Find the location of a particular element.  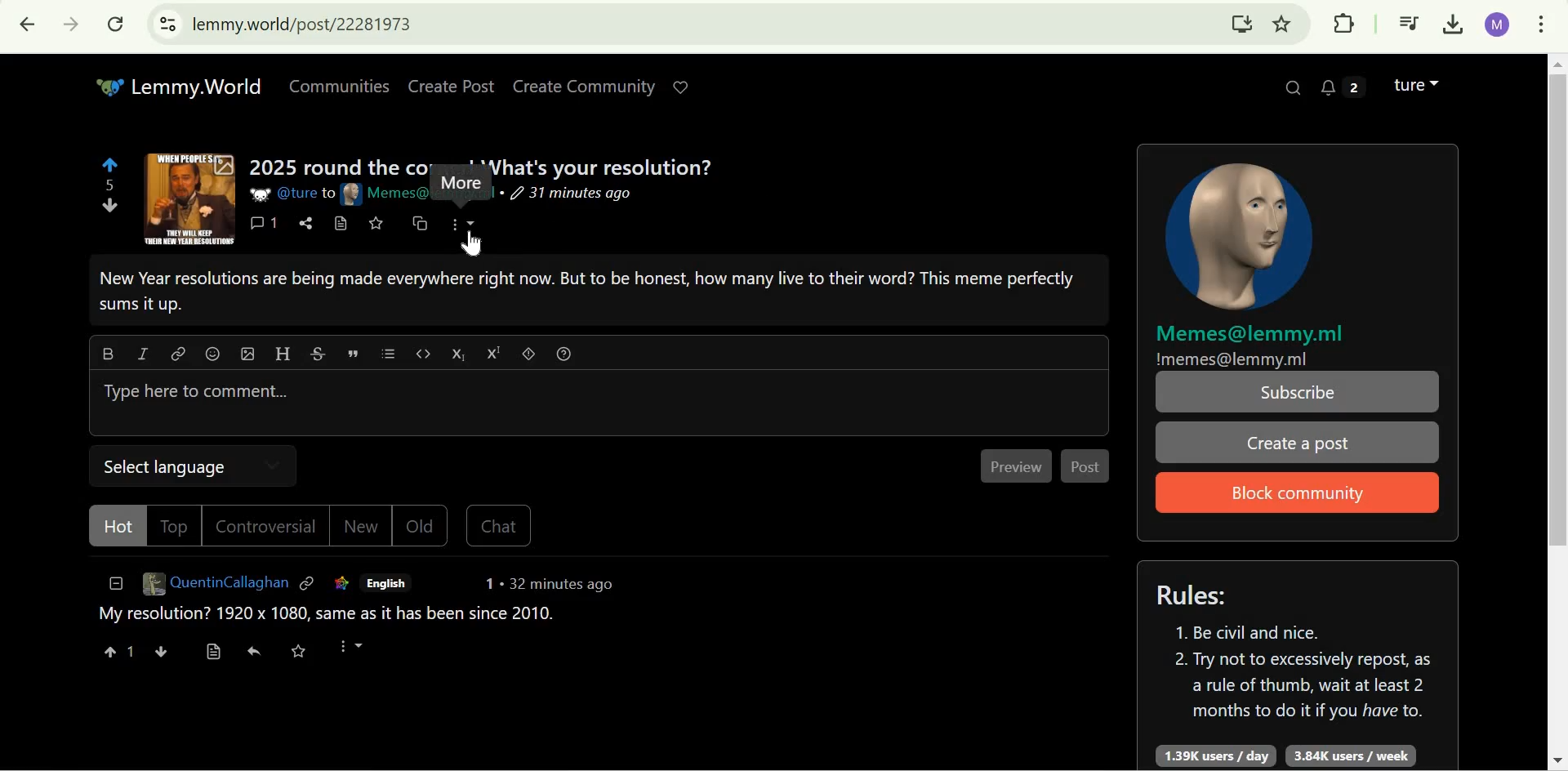

New Year resolutions are being made everywhere right now. But to be honest, how many live to their word? This meme perfectly
sums it up. is located at coordinates (586, 292).